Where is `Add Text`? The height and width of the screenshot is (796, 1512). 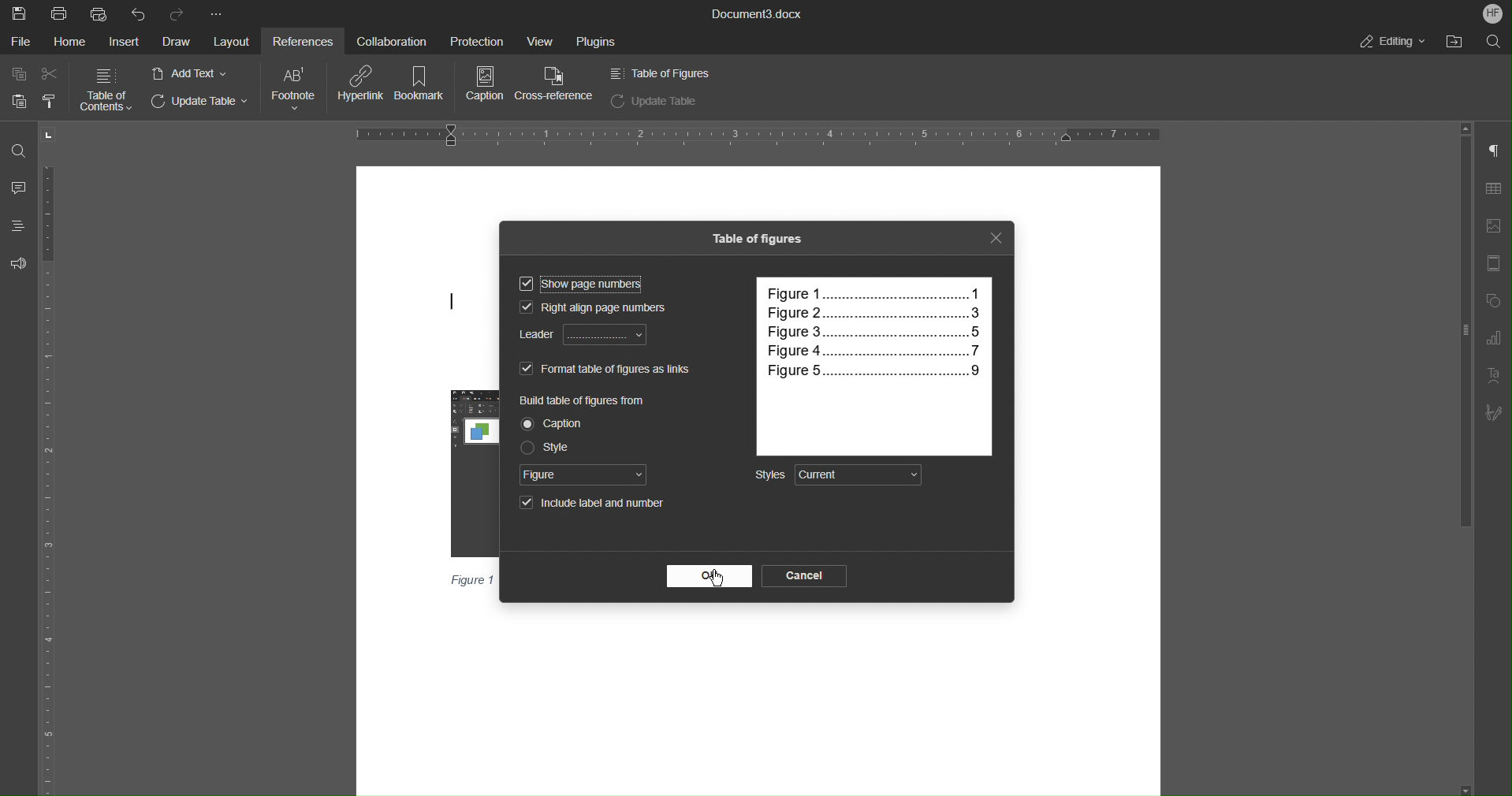
Add Text is located at coordinates (191, 73).